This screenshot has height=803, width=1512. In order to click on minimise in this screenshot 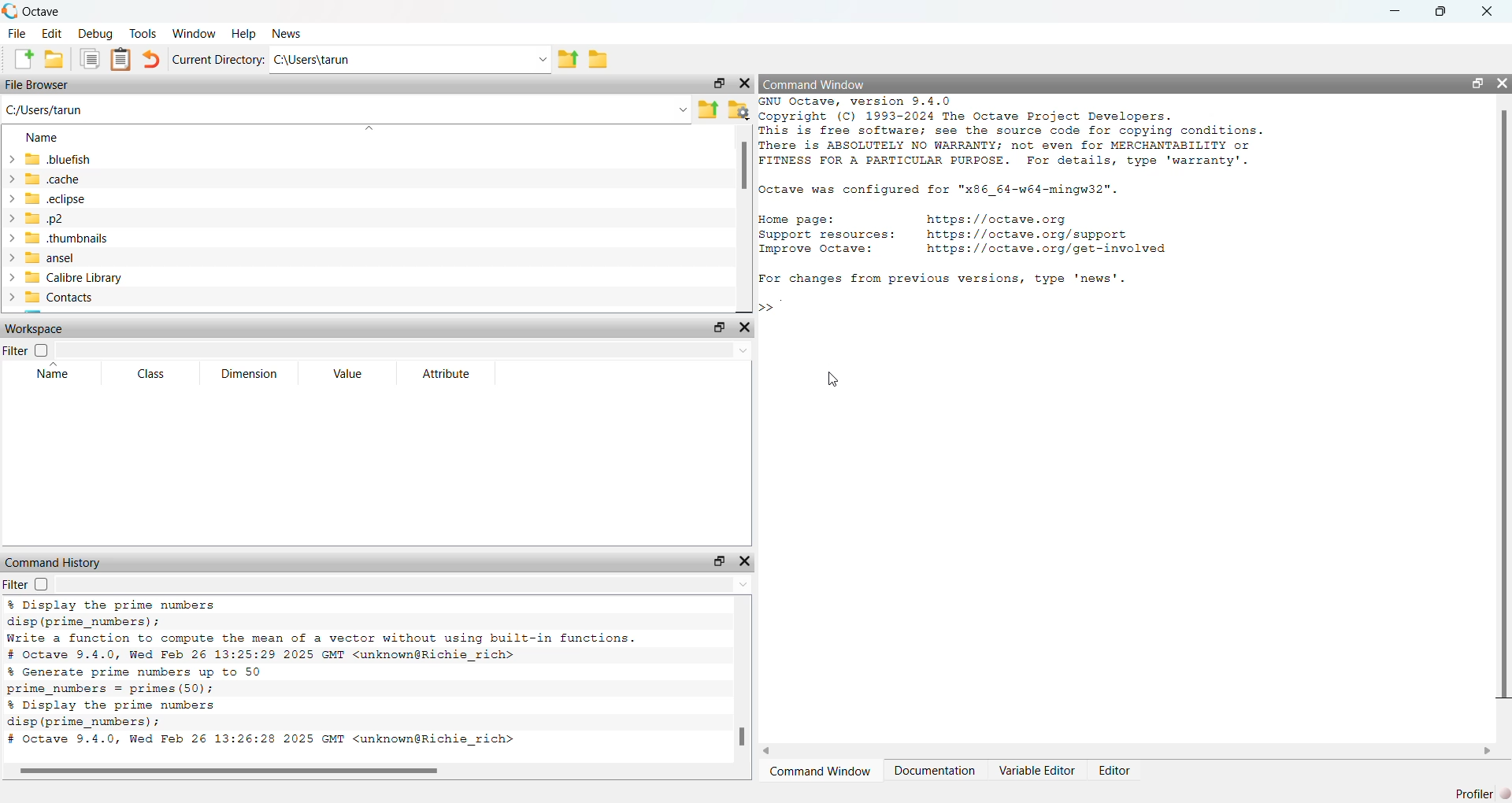, I will do `click(1396, 9)`.